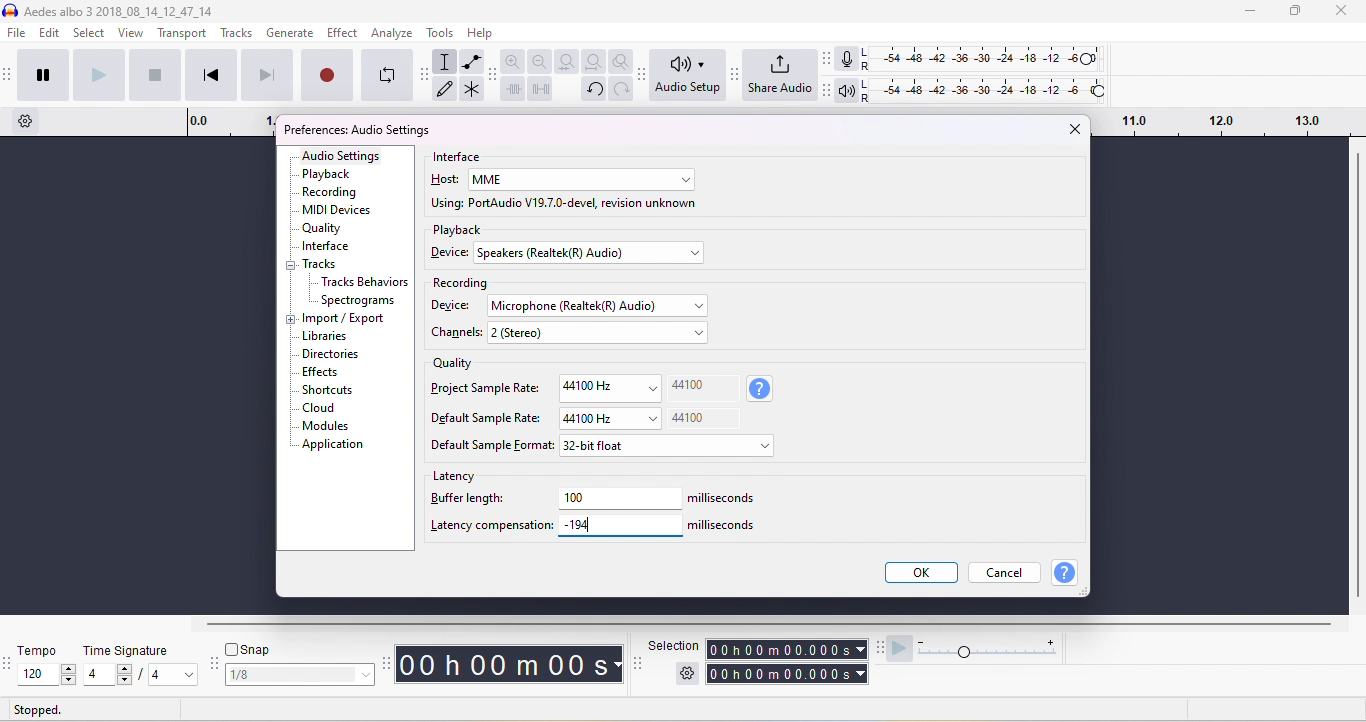 The width and height of the screenshot is (1366, 722). Describe the element at coordinates (847, 60) in the screenshot. I see `recording meter` at that location.